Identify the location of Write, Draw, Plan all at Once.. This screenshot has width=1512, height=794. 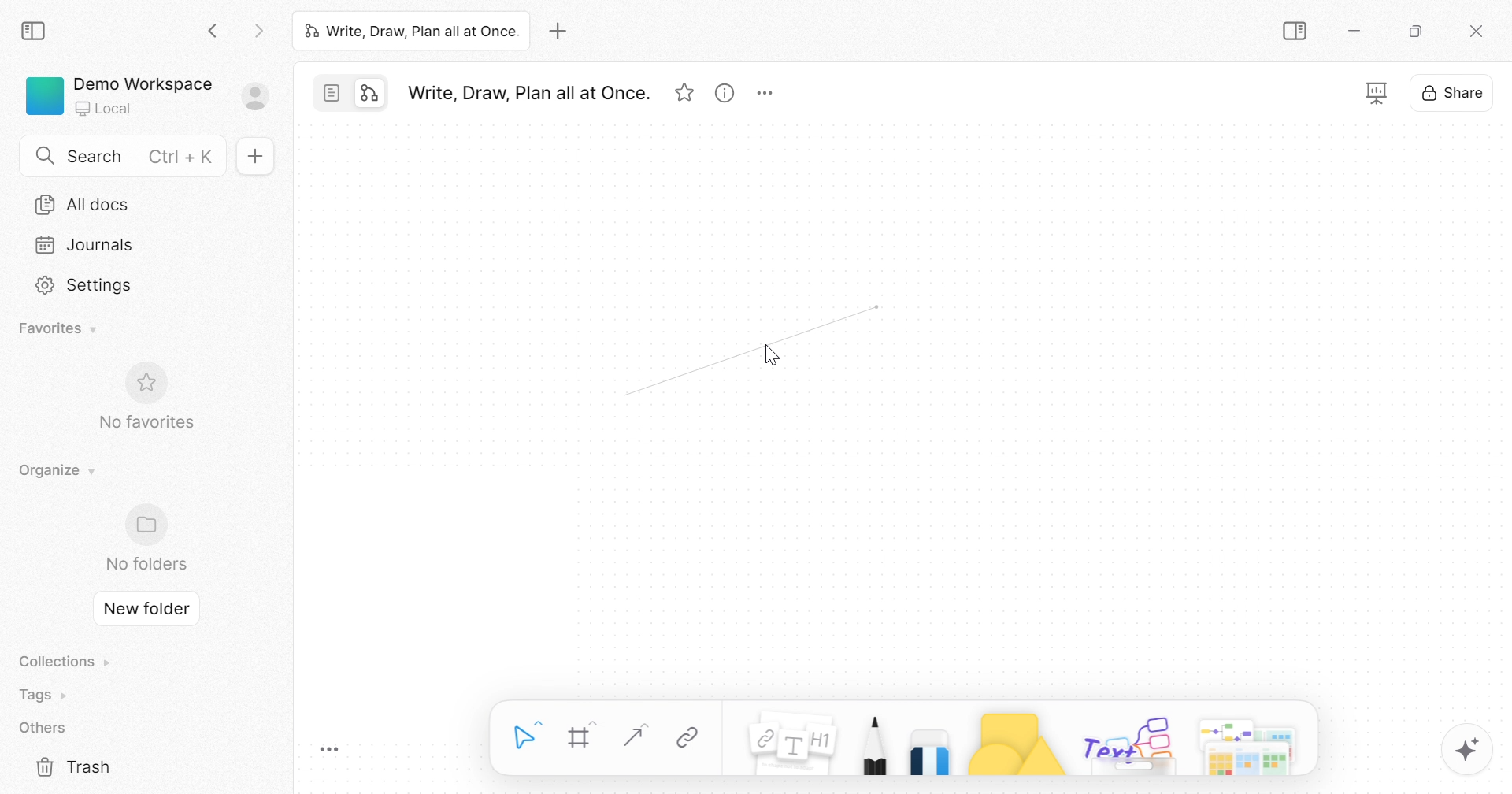
(528, 93).